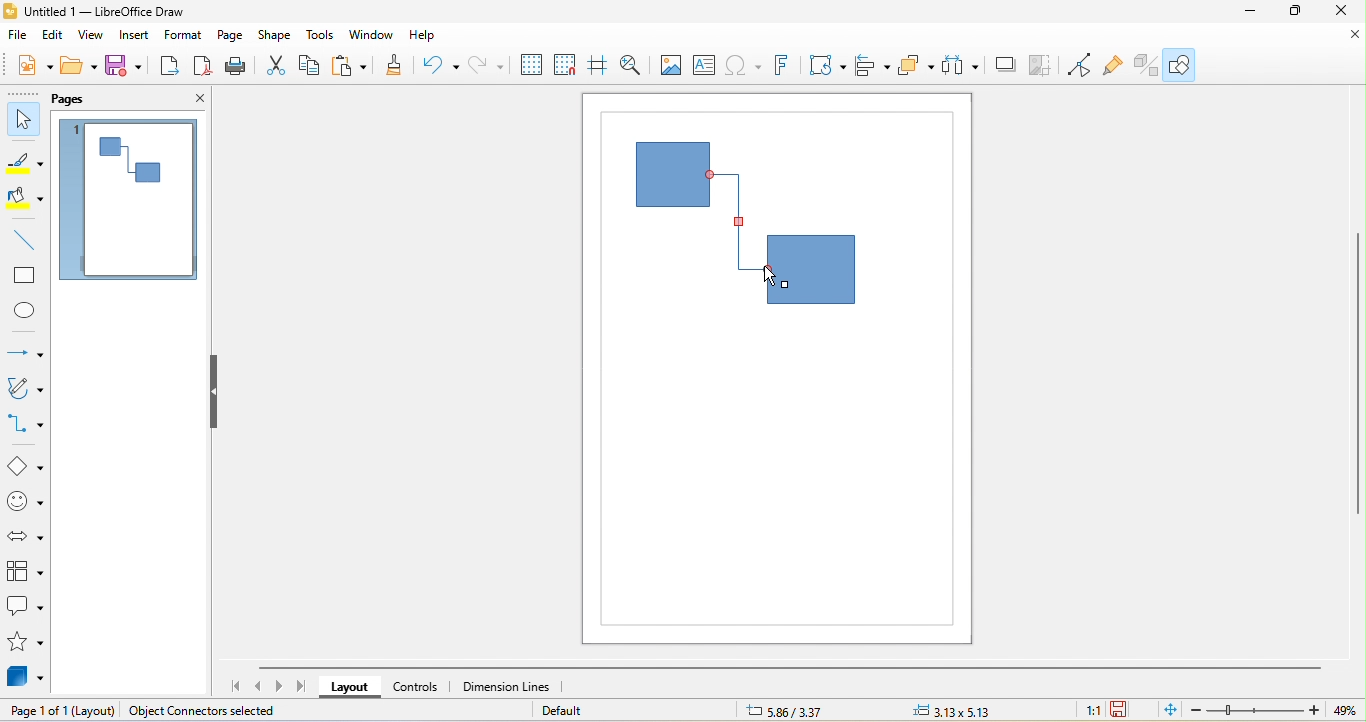  Describe the element at coordinates (1342, 10) in the screenshot. I see `close` at that location.